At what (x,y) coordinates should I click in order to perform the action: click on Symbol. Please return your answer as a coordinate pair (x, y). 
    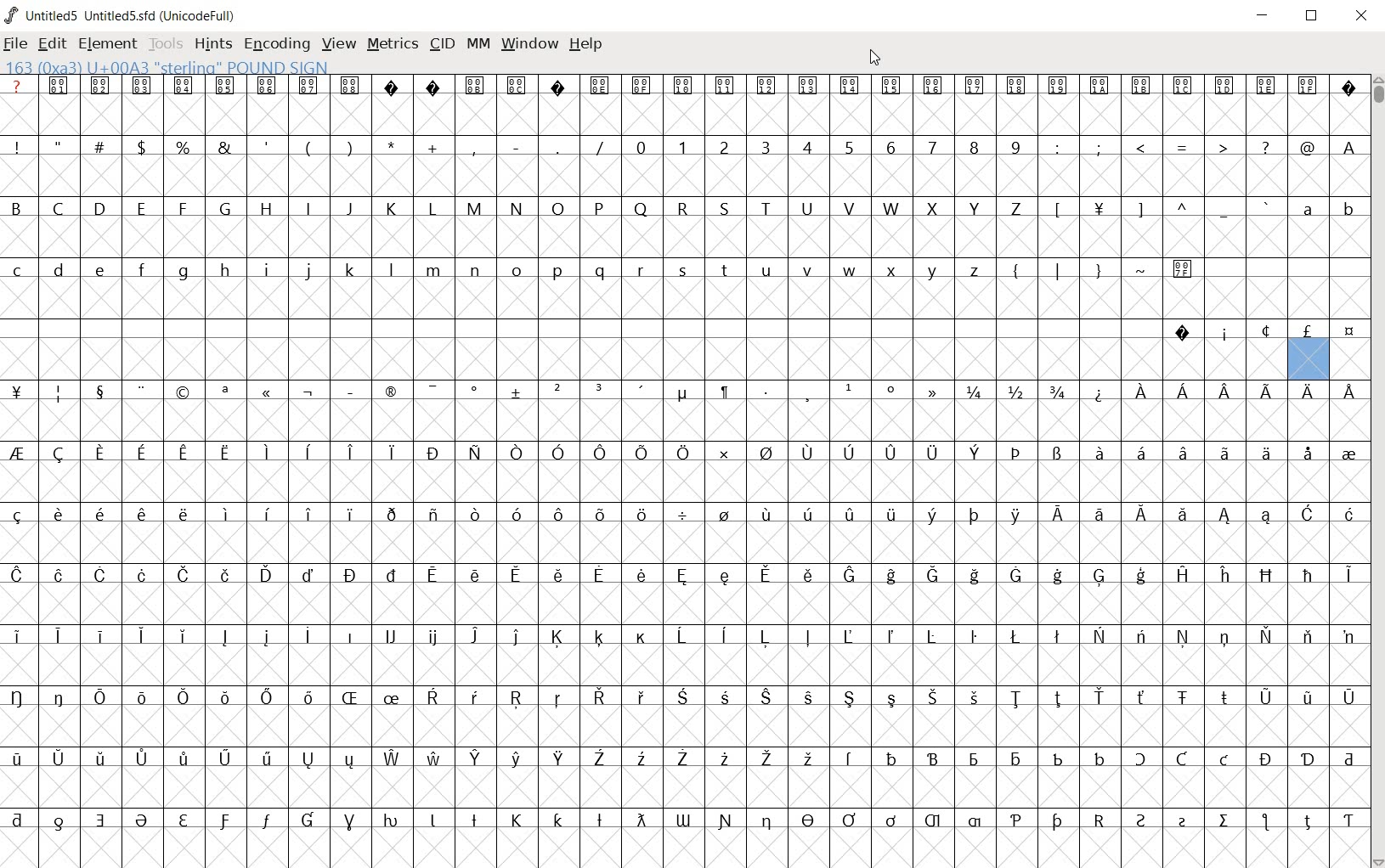
    Looking at the image, I should click on (889, 578).